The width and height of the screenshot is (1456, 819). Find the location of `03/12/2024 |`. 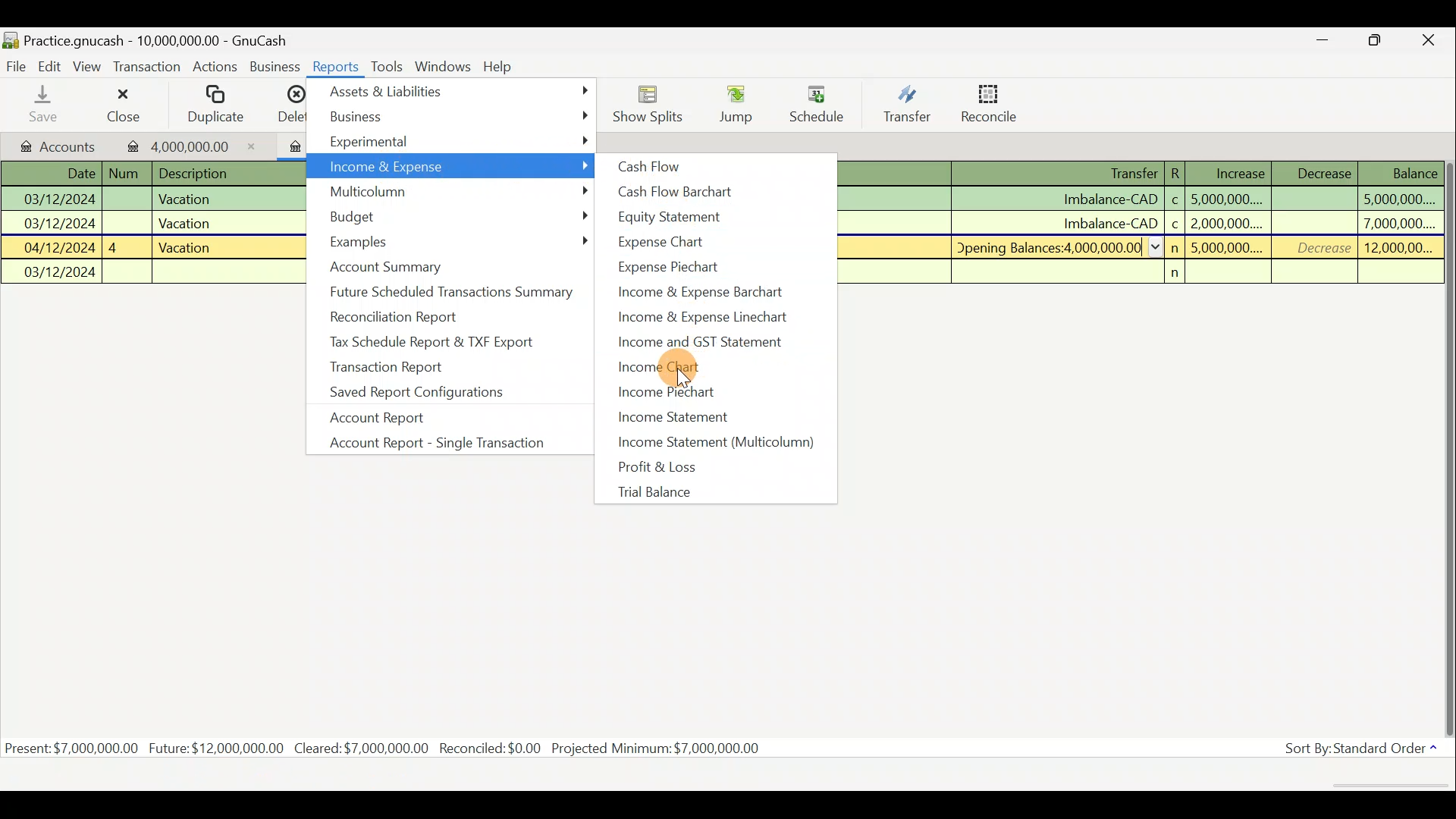

03/12/2024 | is located at coordinates (62, 198).